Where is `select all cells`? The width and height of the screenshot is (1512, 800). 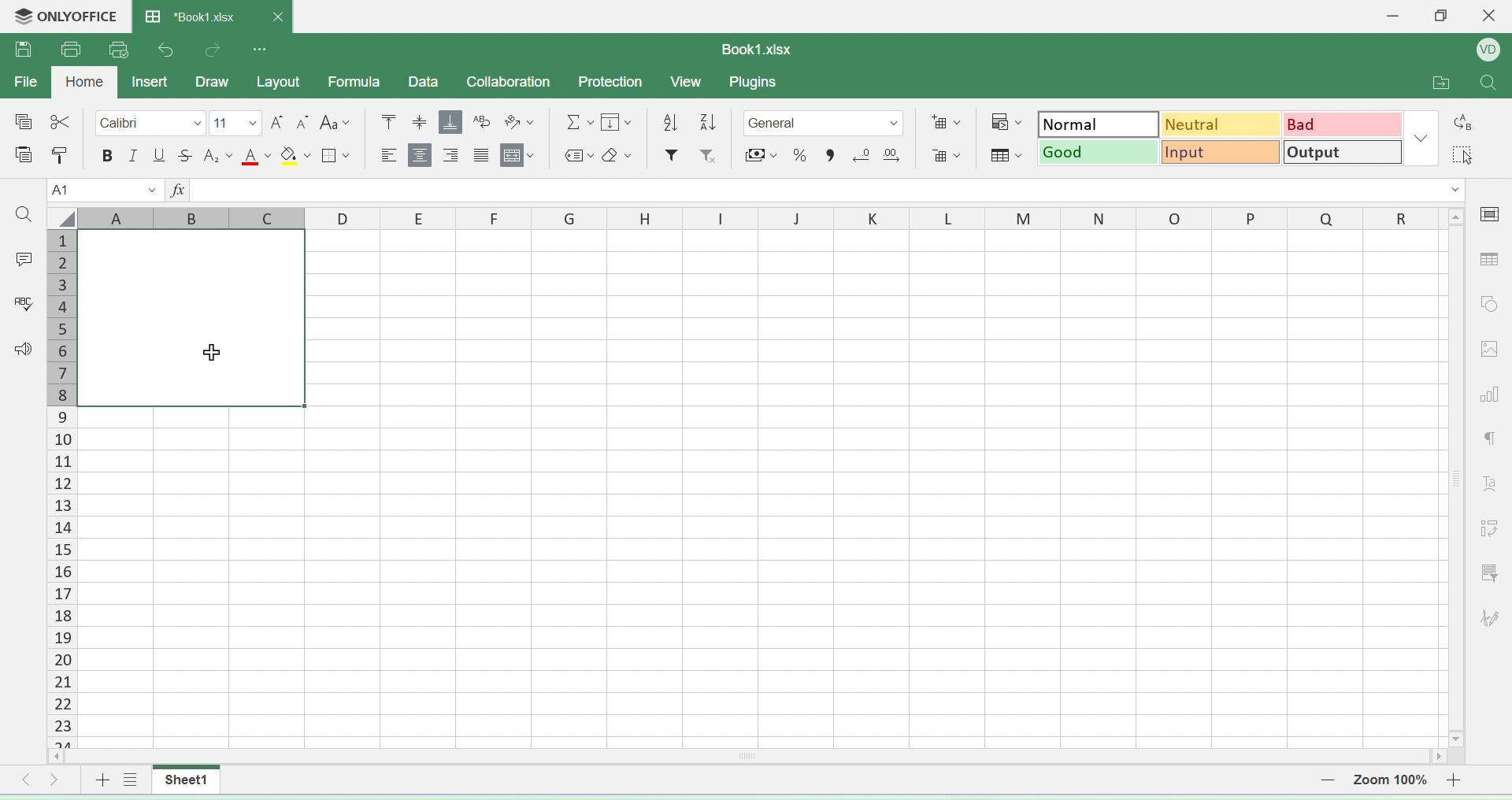
select all cells is located at coordinates (61, 217).